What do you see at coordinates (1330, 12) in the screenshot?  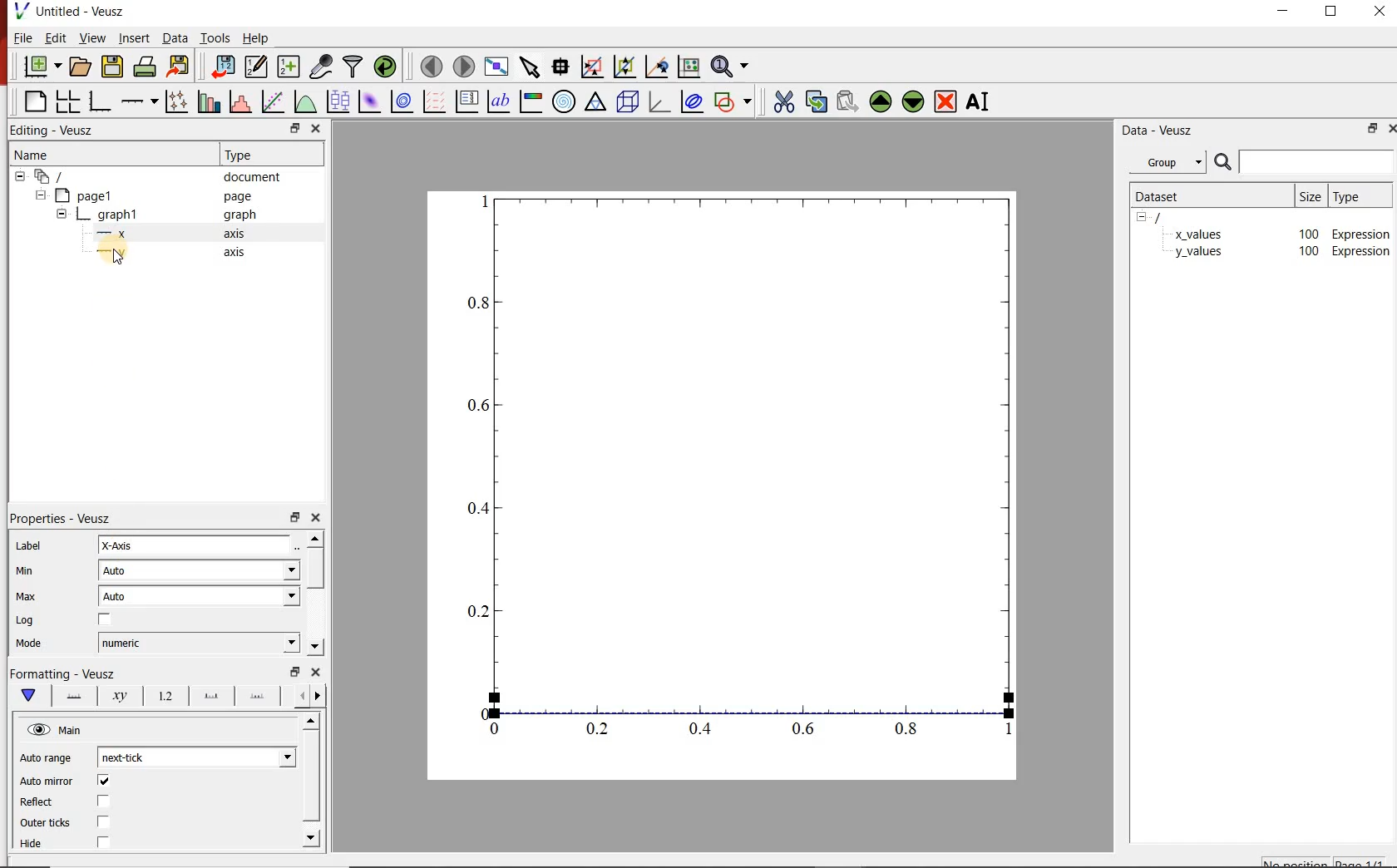 I see `restore down` at bounding box center [1330, 12].